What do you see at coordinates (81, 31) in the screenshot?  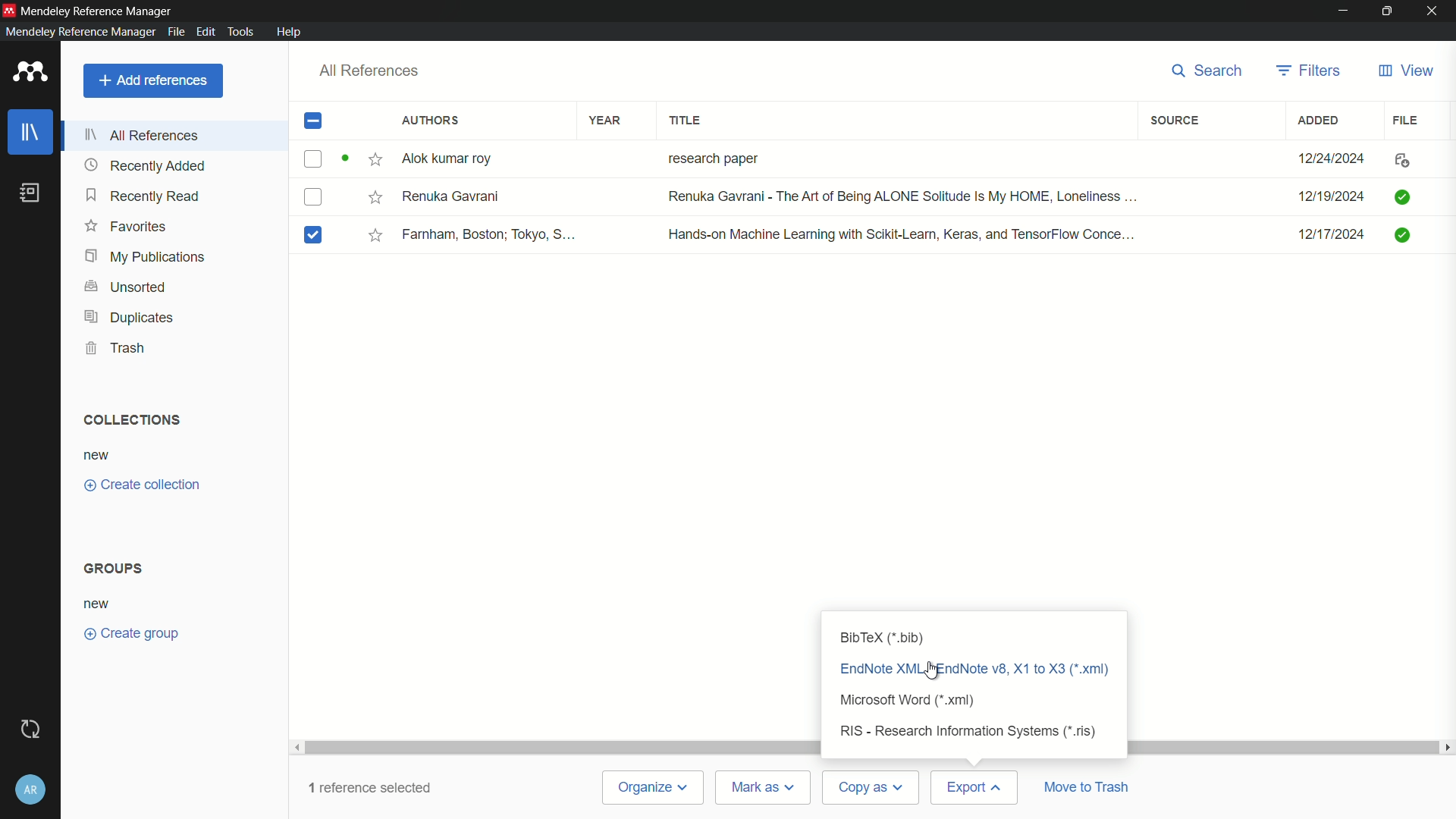 I see `Mendeley Reference Manager` at bounding box center [81, 31].